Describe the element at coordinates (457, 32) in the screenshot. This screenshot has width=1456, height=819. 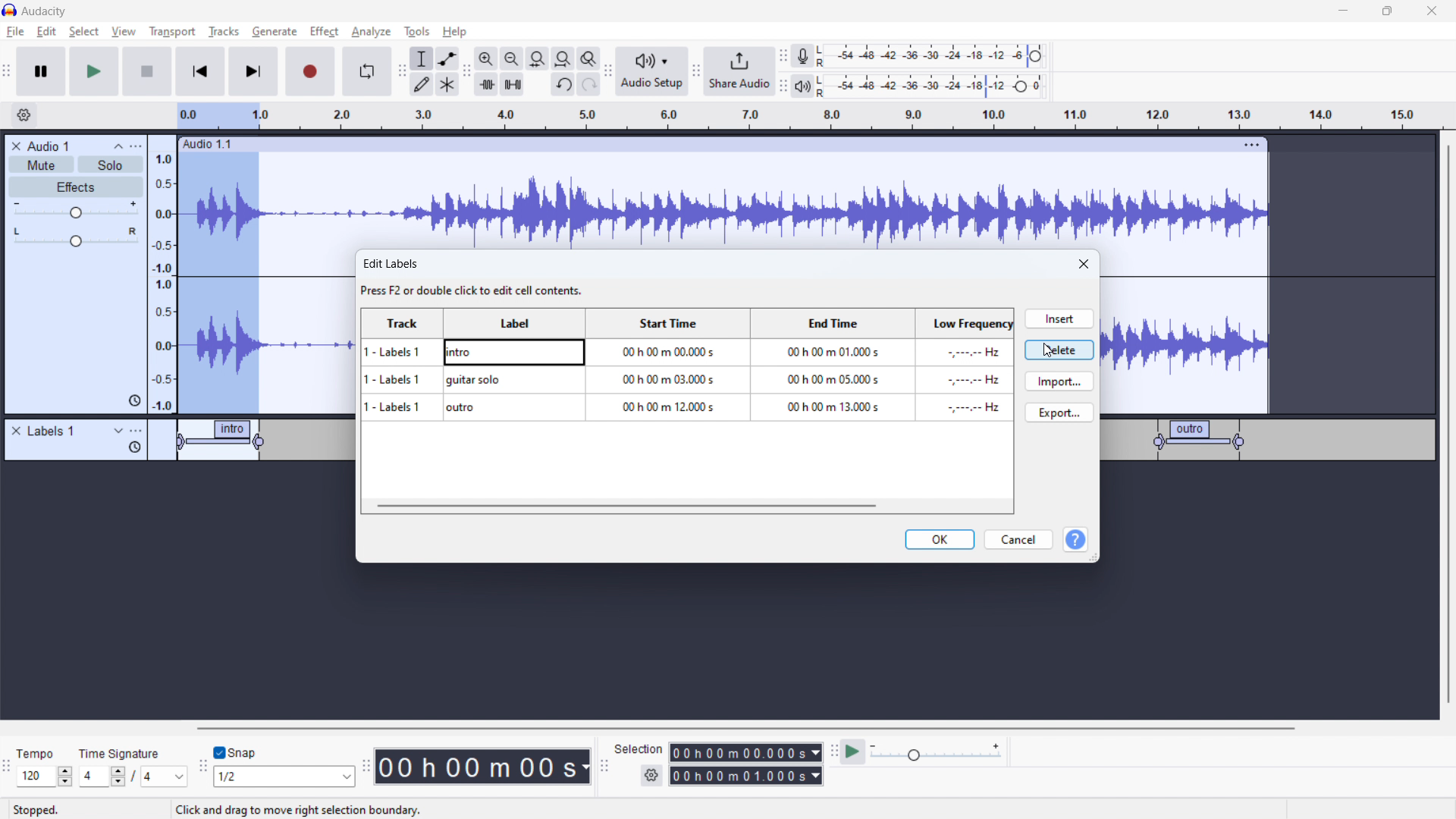
I see `help` at that location.